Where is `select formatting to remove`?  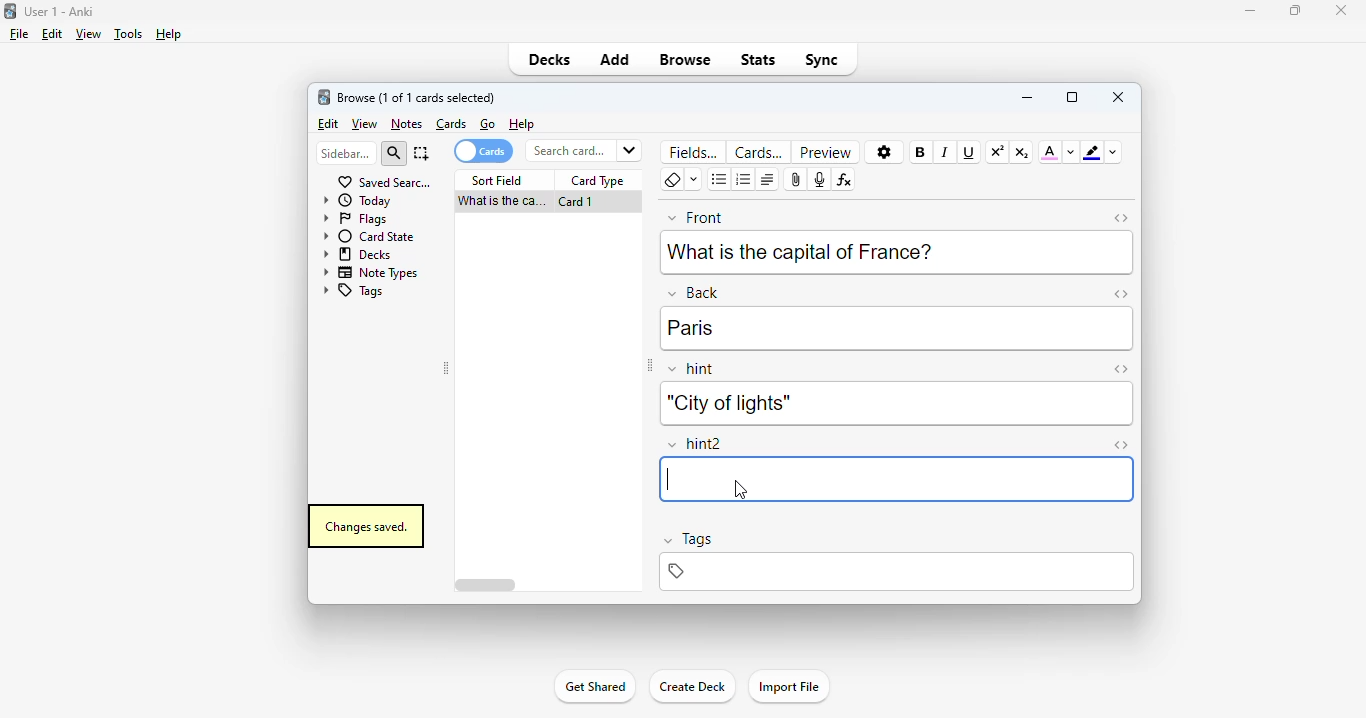 select formatting to remove is located at coordinates (694, 180).